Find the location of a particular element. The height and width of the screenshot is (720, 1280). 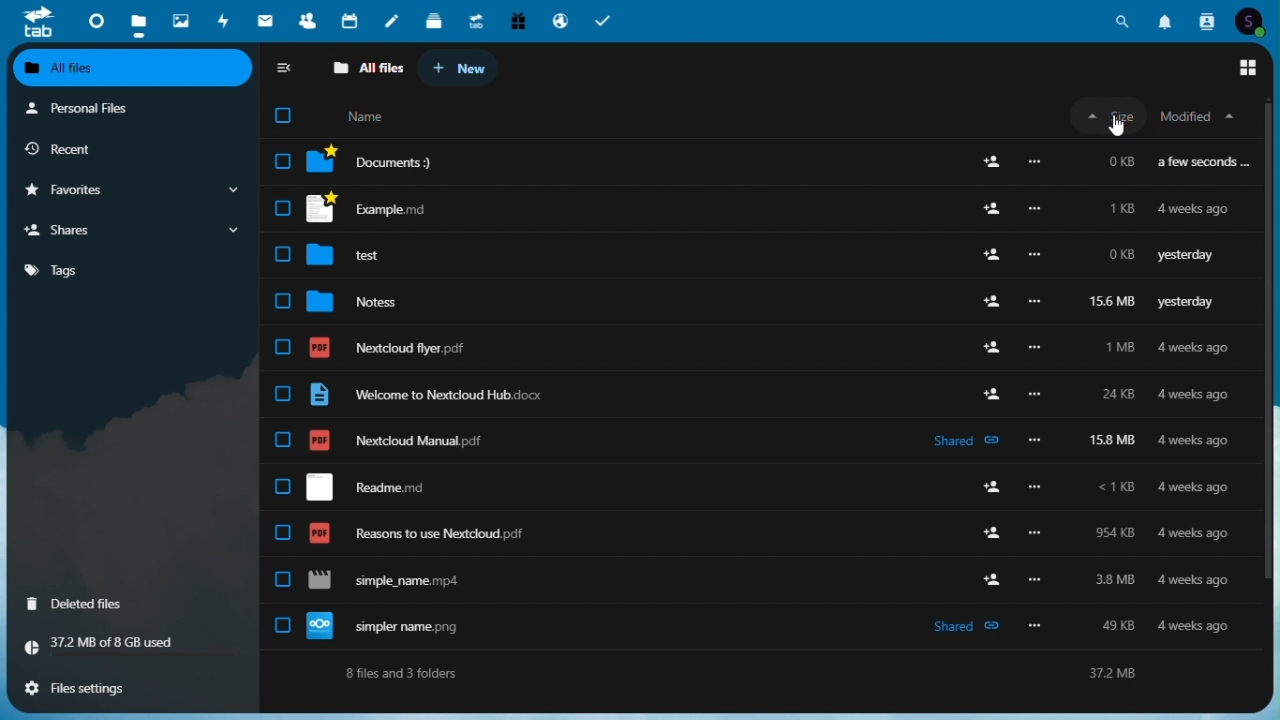

‘simpler name png. is located at coordinates (751, 624).